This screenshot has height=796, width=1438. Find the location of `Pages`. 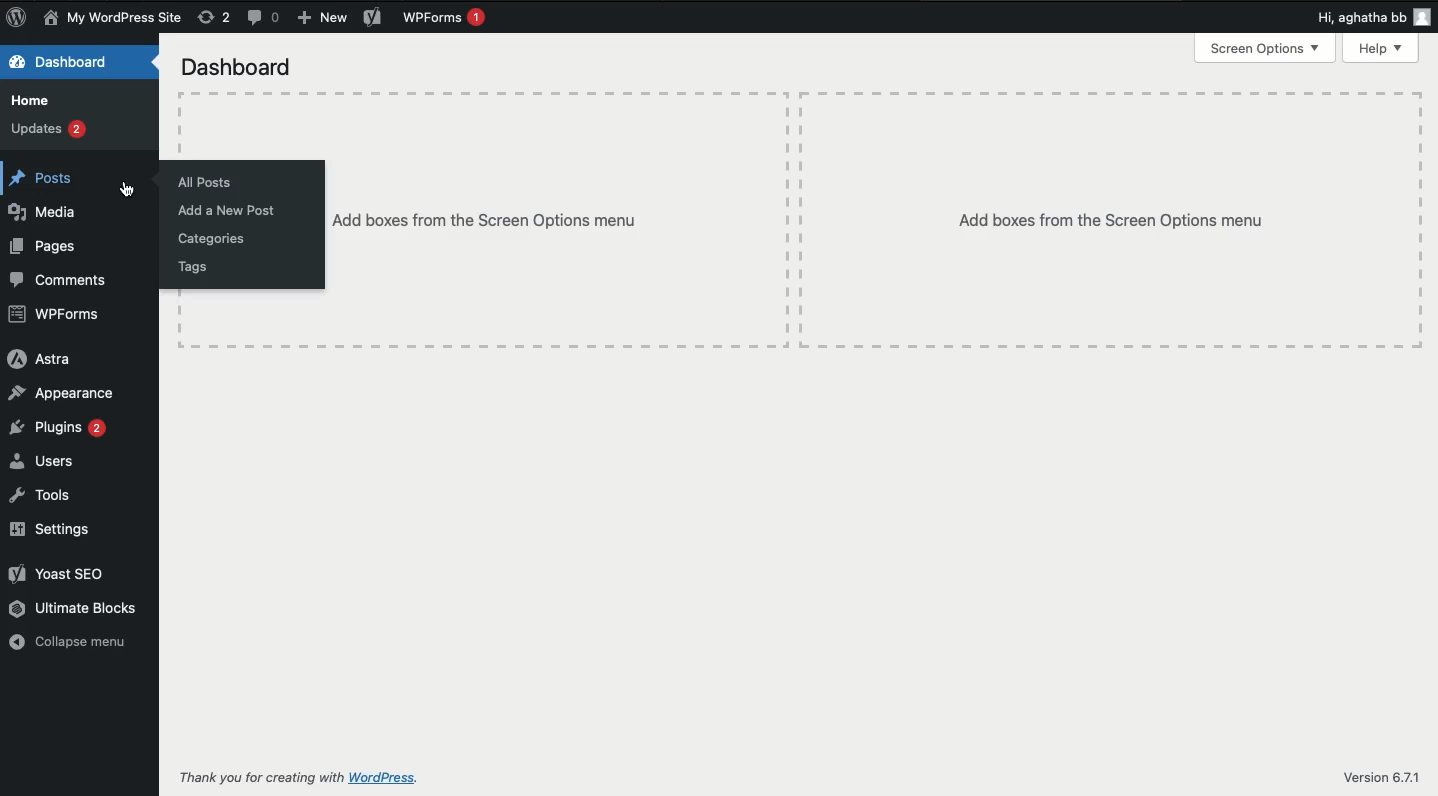

Pages is located at coordinates (45, 246).